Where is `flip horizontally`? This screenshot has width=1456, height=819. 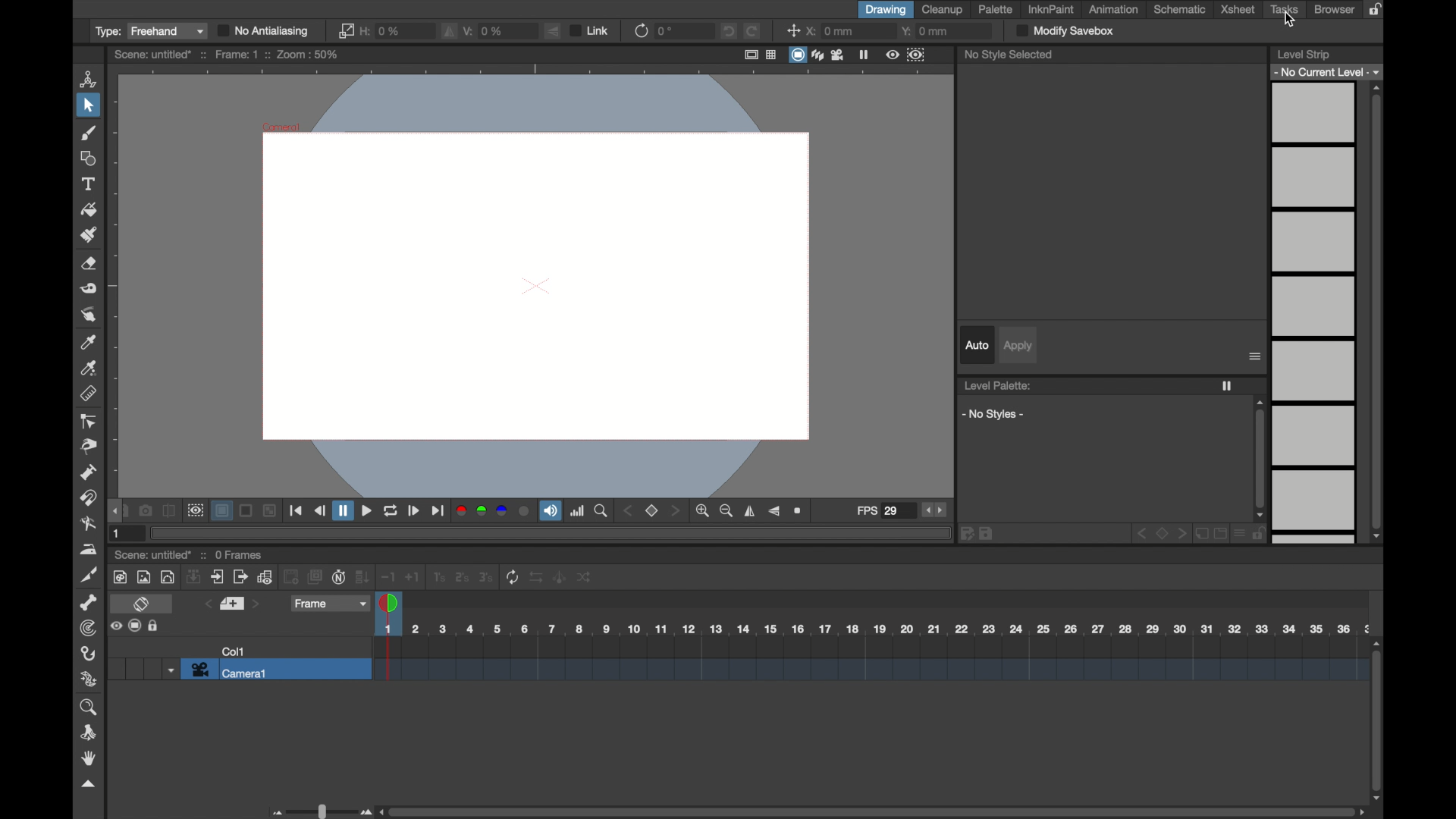 flip horizontally is located at coordinates (552, 30).